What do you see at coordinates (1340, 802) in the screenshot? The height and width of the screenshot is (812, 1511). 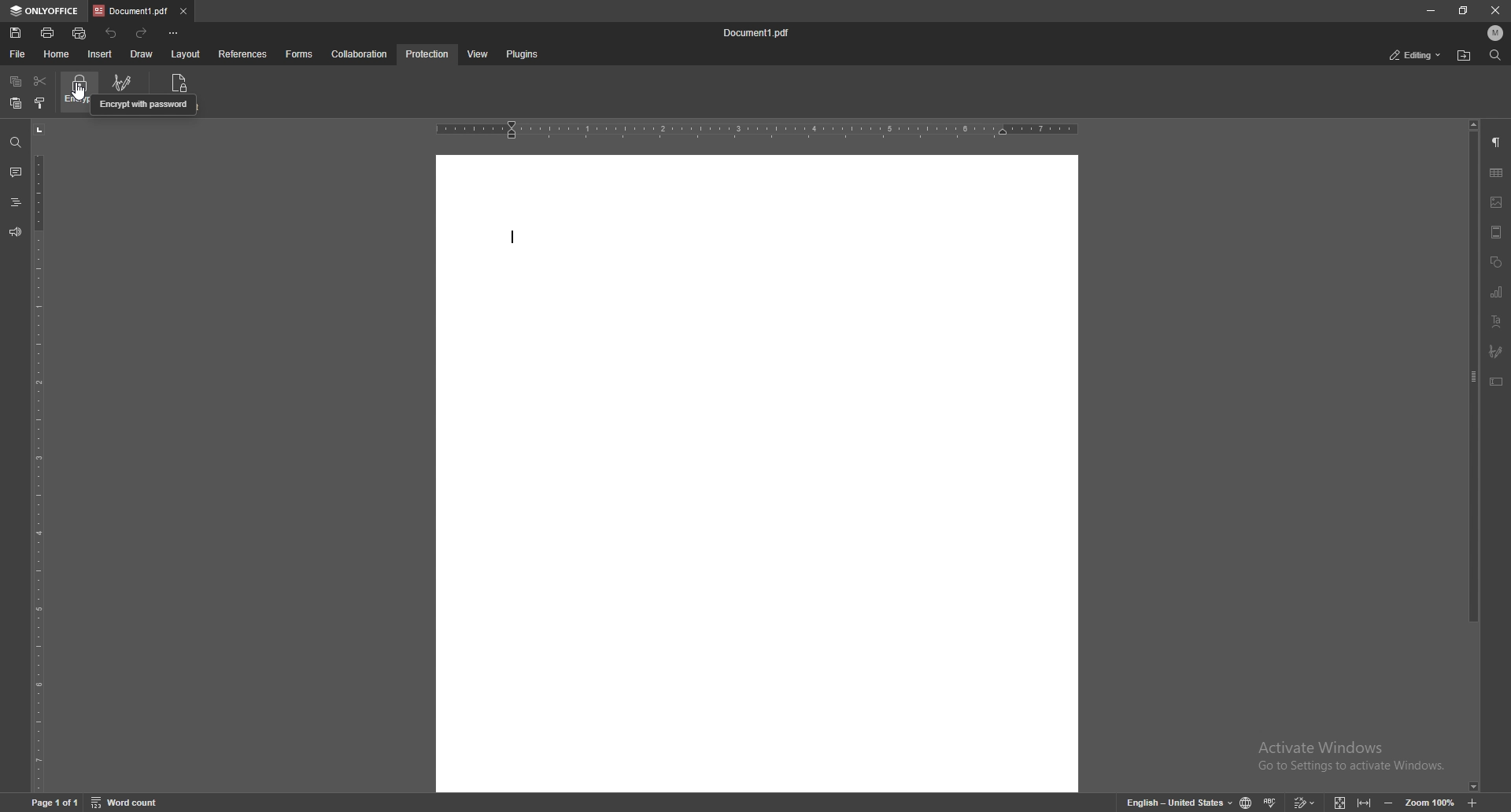 I see `fit to screen` at bounding box center [1340, 802].